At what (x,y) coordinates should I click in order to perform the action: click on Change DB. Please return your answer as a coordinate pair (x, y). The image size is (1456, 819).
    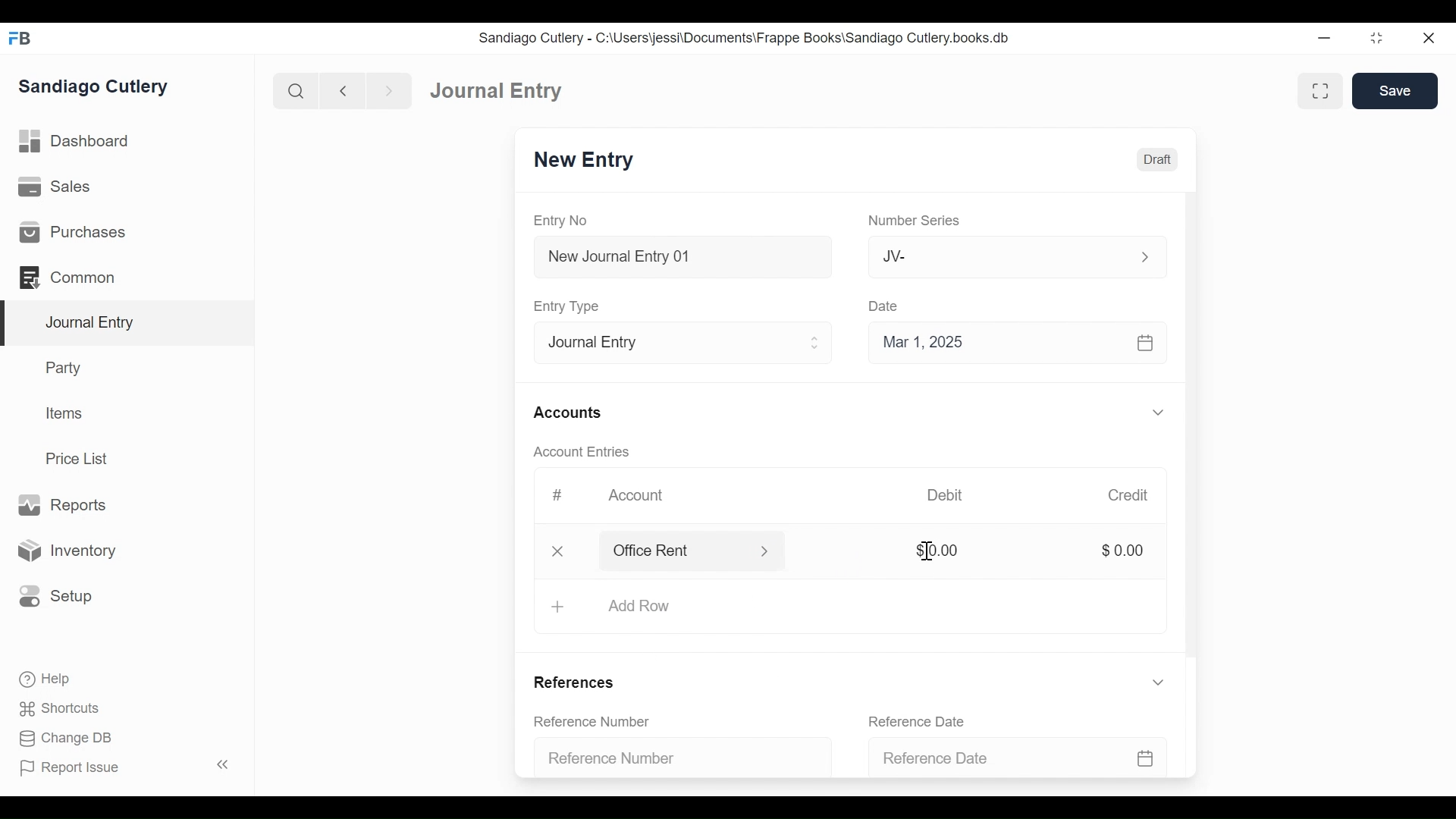
    Looking at the image, I should click on (59, 739).